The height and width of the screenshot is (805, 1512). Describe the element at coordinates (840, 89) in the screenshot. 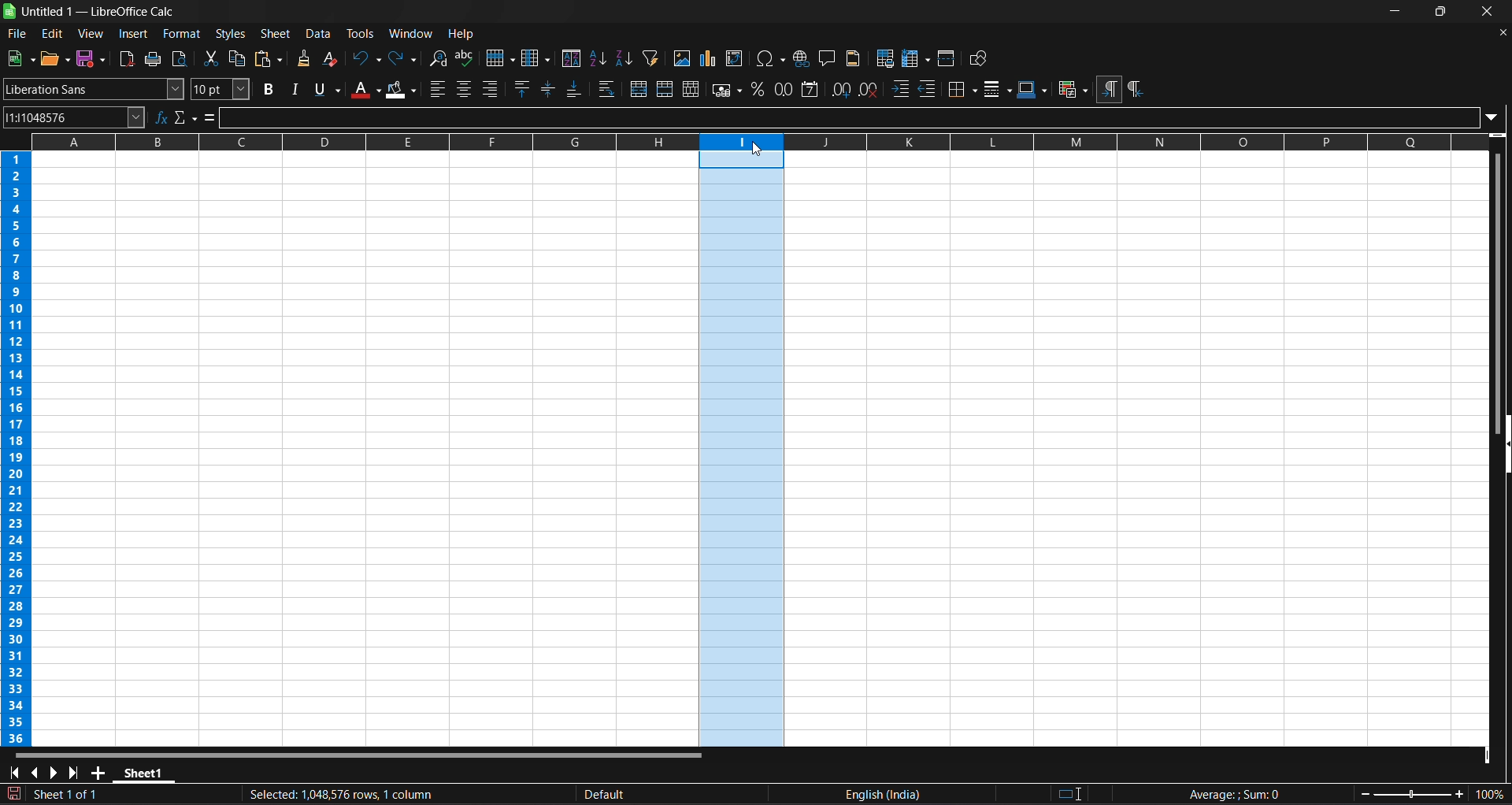

I see `add decimal place` at that location.